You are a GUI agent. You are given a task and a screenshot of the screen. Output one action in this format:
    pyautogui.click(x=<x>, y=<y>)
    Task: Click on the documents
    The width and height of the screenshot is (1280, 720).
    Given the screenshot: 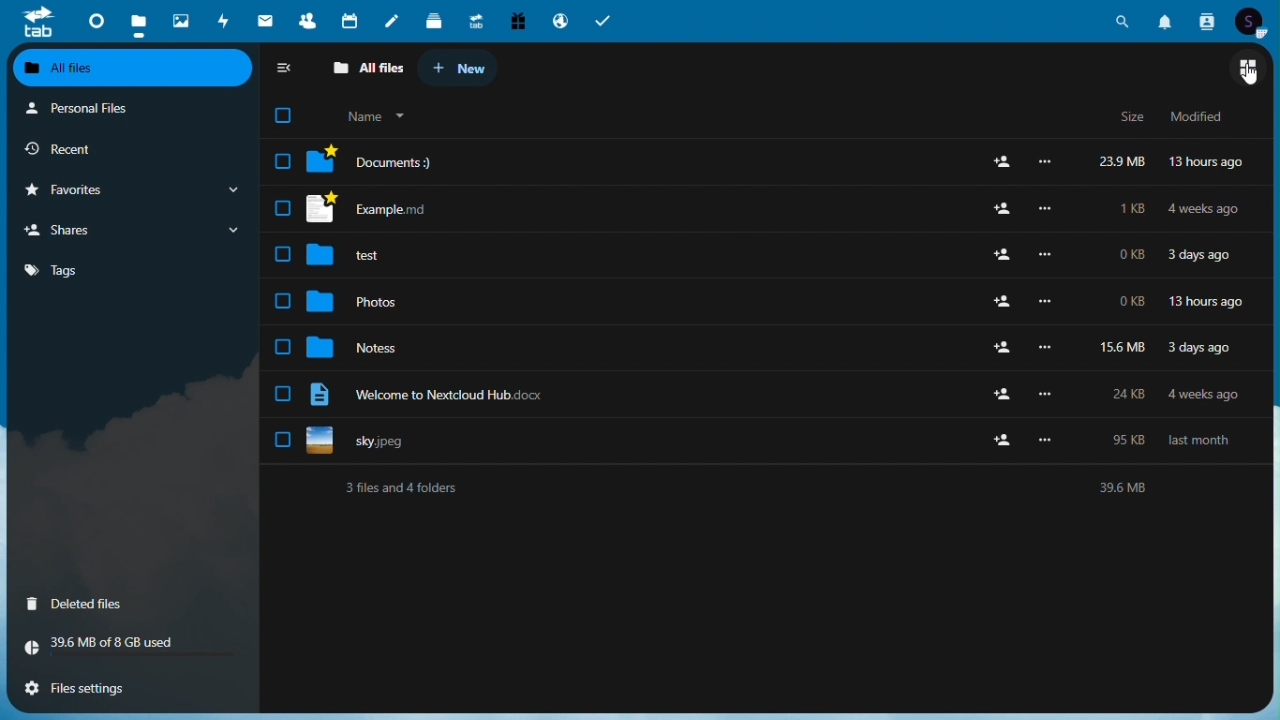 What is the action you would take?
    pyautogui.click(x=413, y=161)
    